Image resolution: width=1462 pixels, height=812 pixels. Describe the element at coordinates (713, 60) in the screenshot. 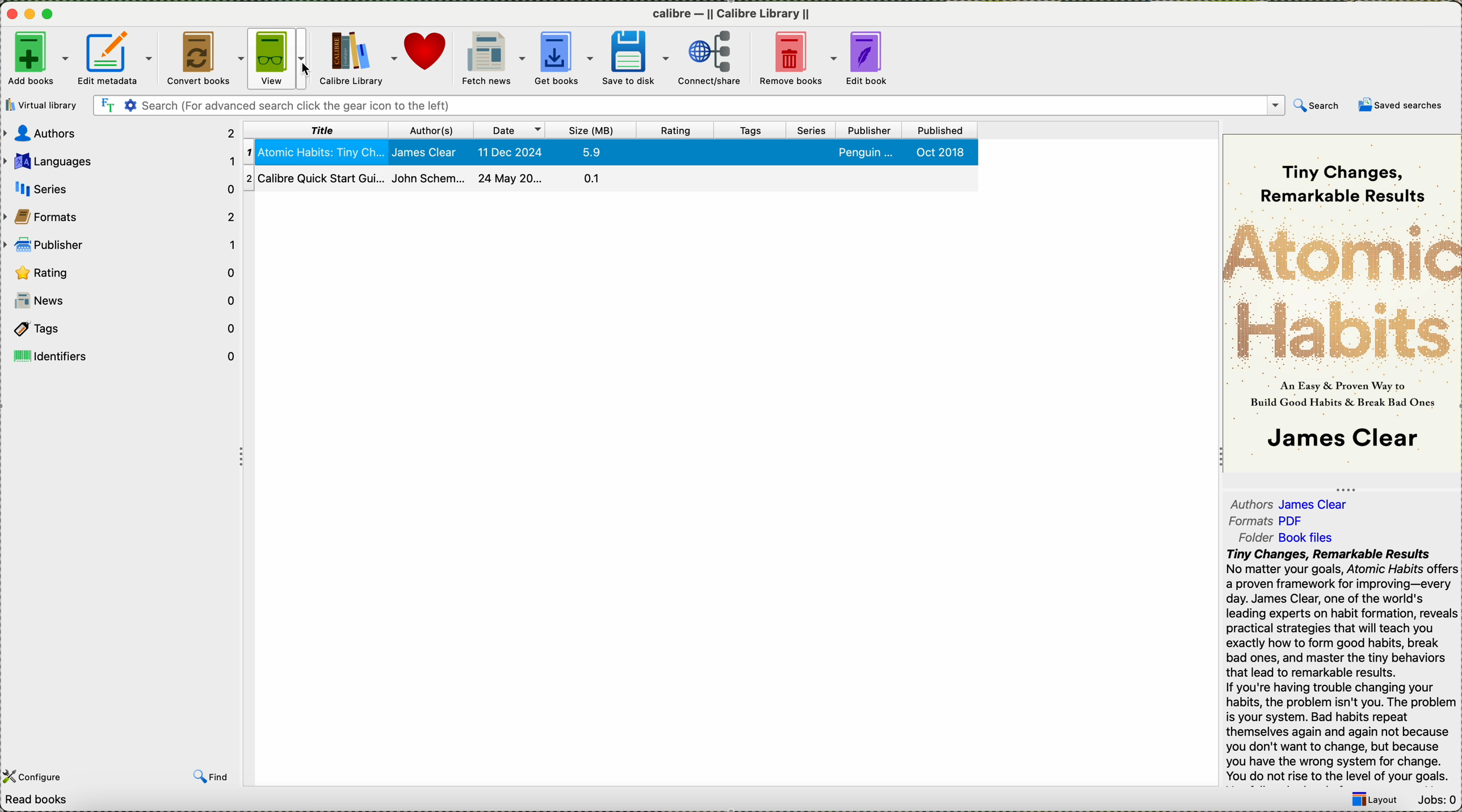

I see `connect/share` at that location.